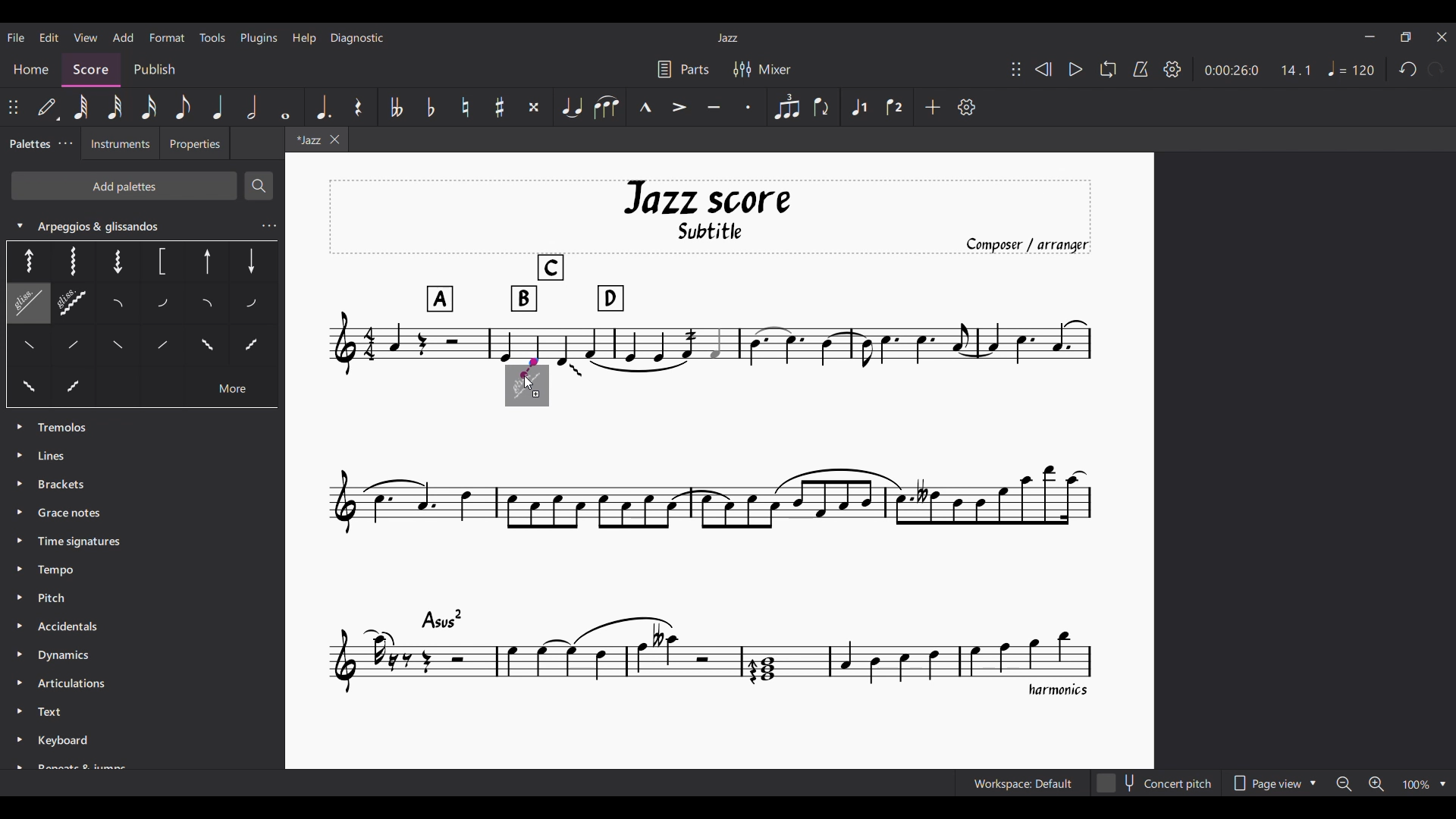 Image resolution: width=1456 pixels, height=819 pixels. Describe the element at coordinates (726, 38) in the screenshot. I see `Title of current score` at that location.